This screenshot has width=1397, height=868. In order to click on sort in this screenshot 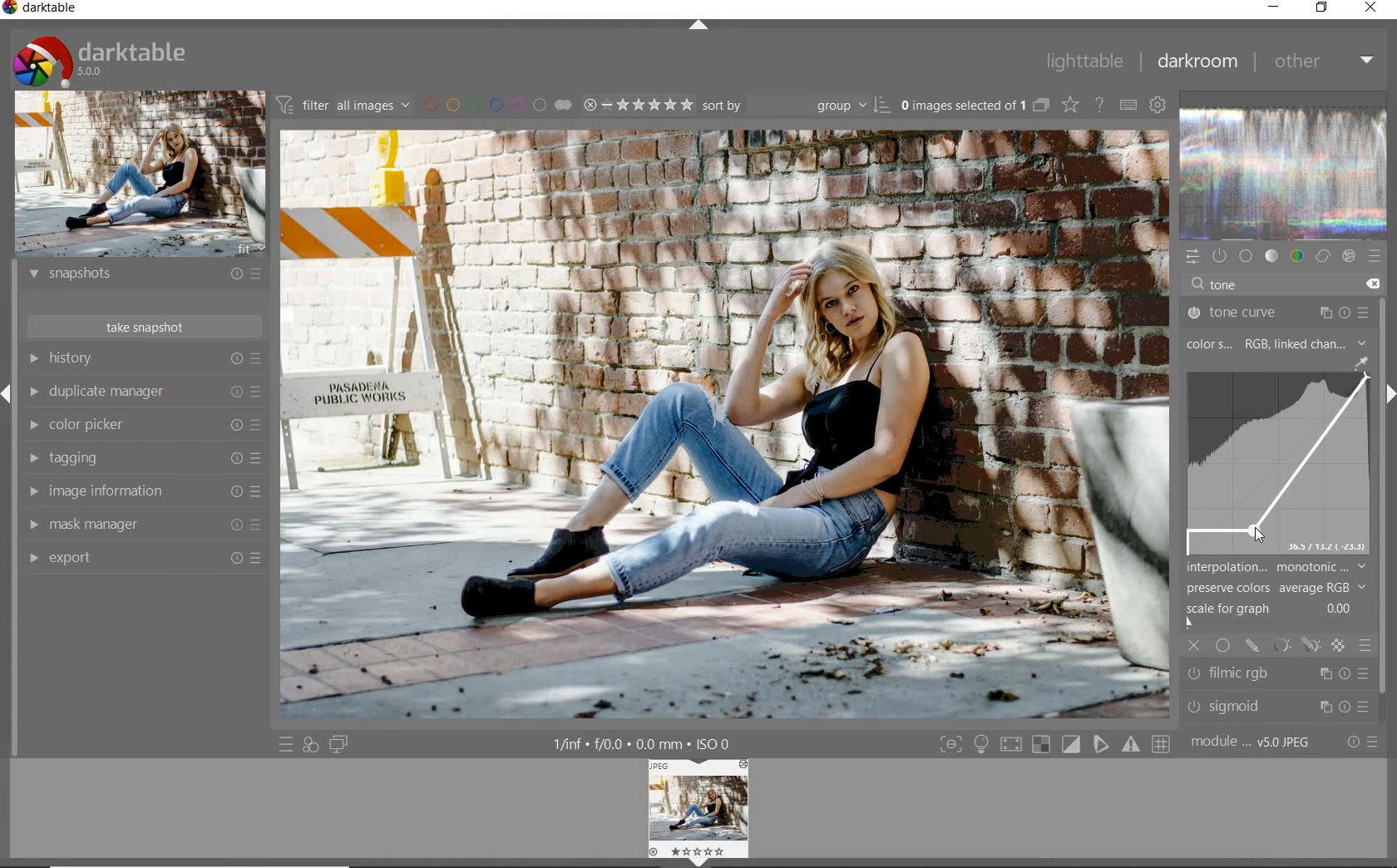, I will do `click(797, 108)`.